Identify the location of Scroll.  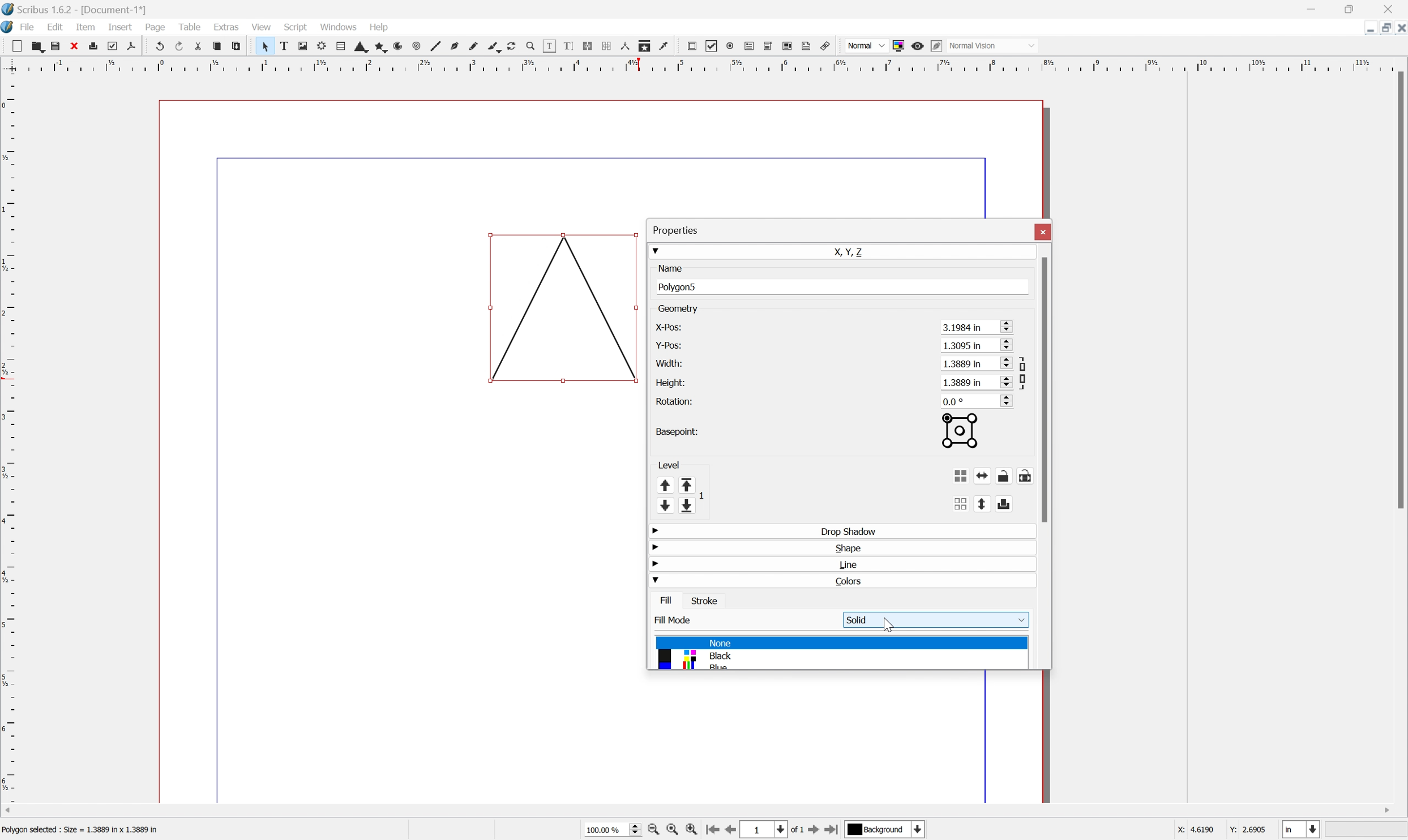
(1018, 362).